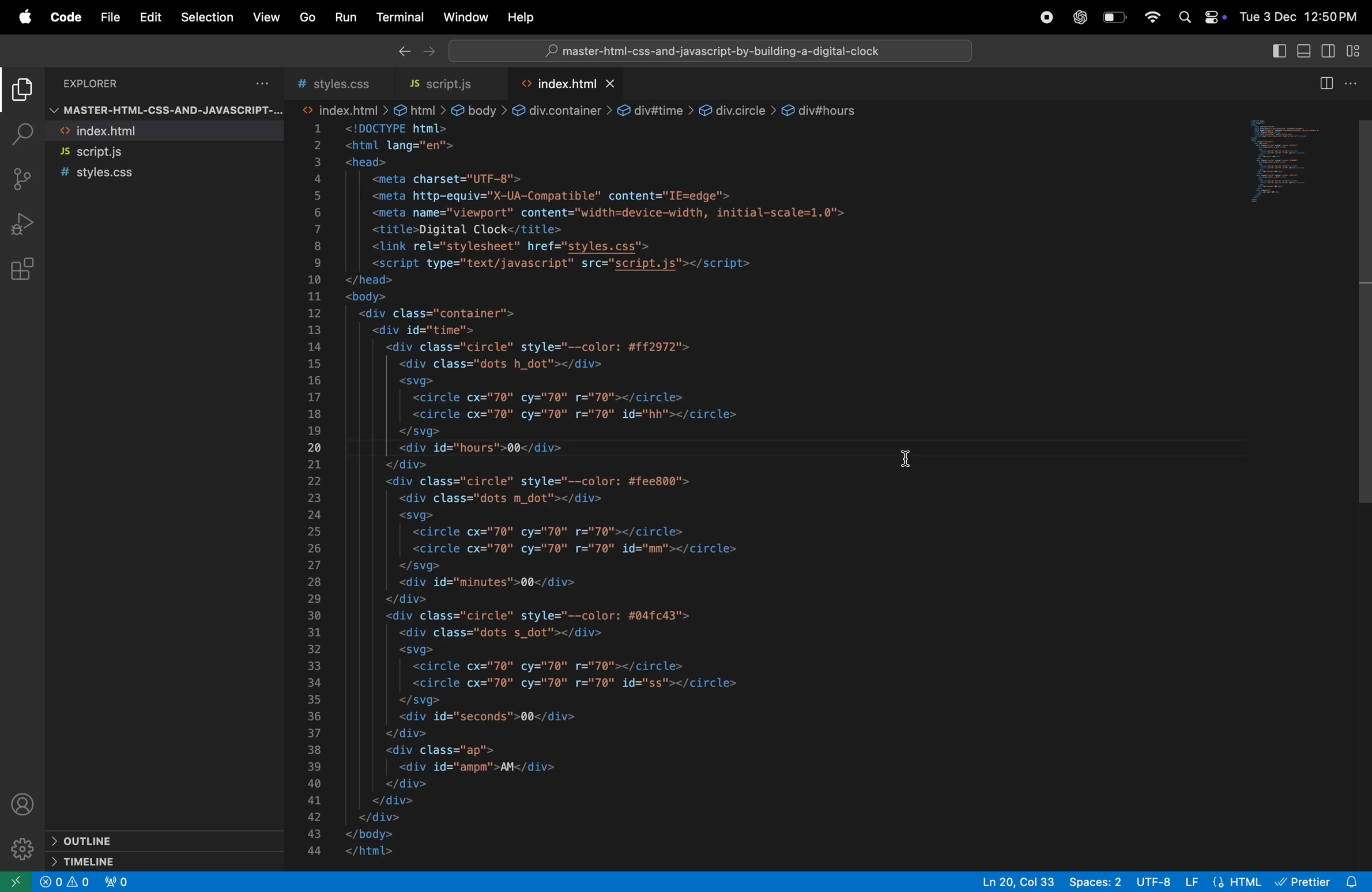  I want to click on outline, so click(153, 840).